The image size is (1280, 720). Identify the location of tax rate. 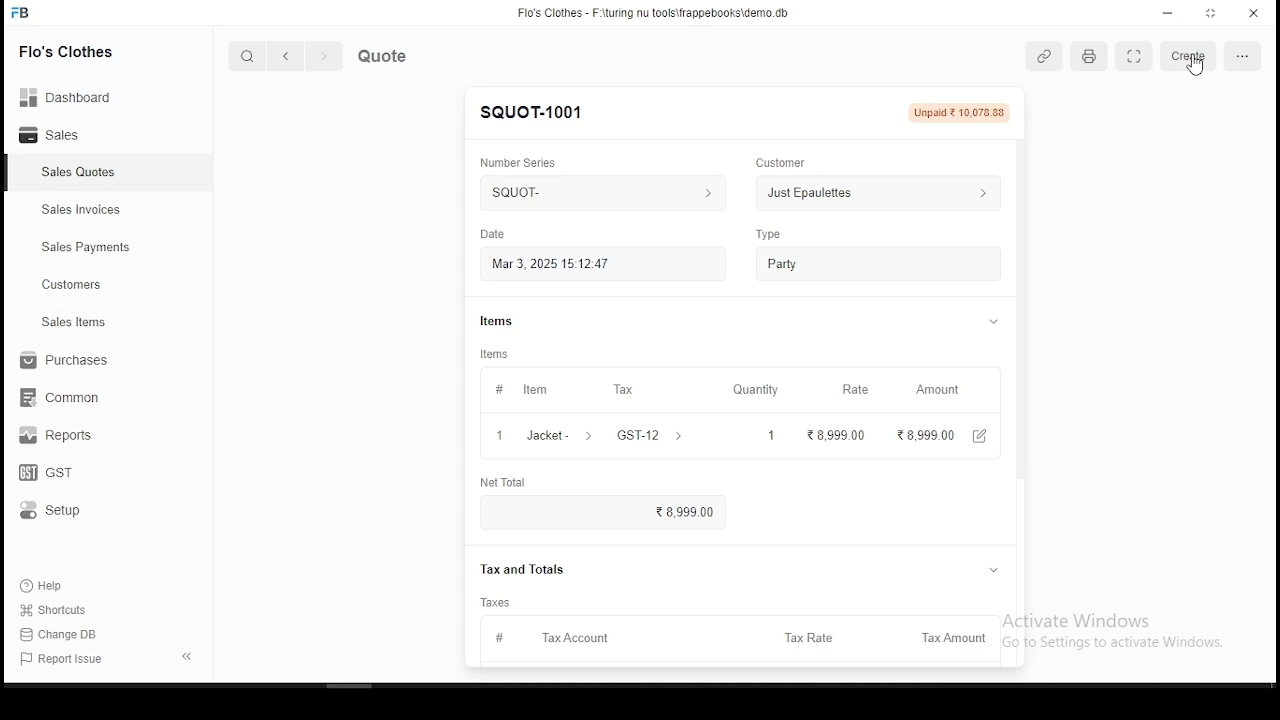
(811, 637).